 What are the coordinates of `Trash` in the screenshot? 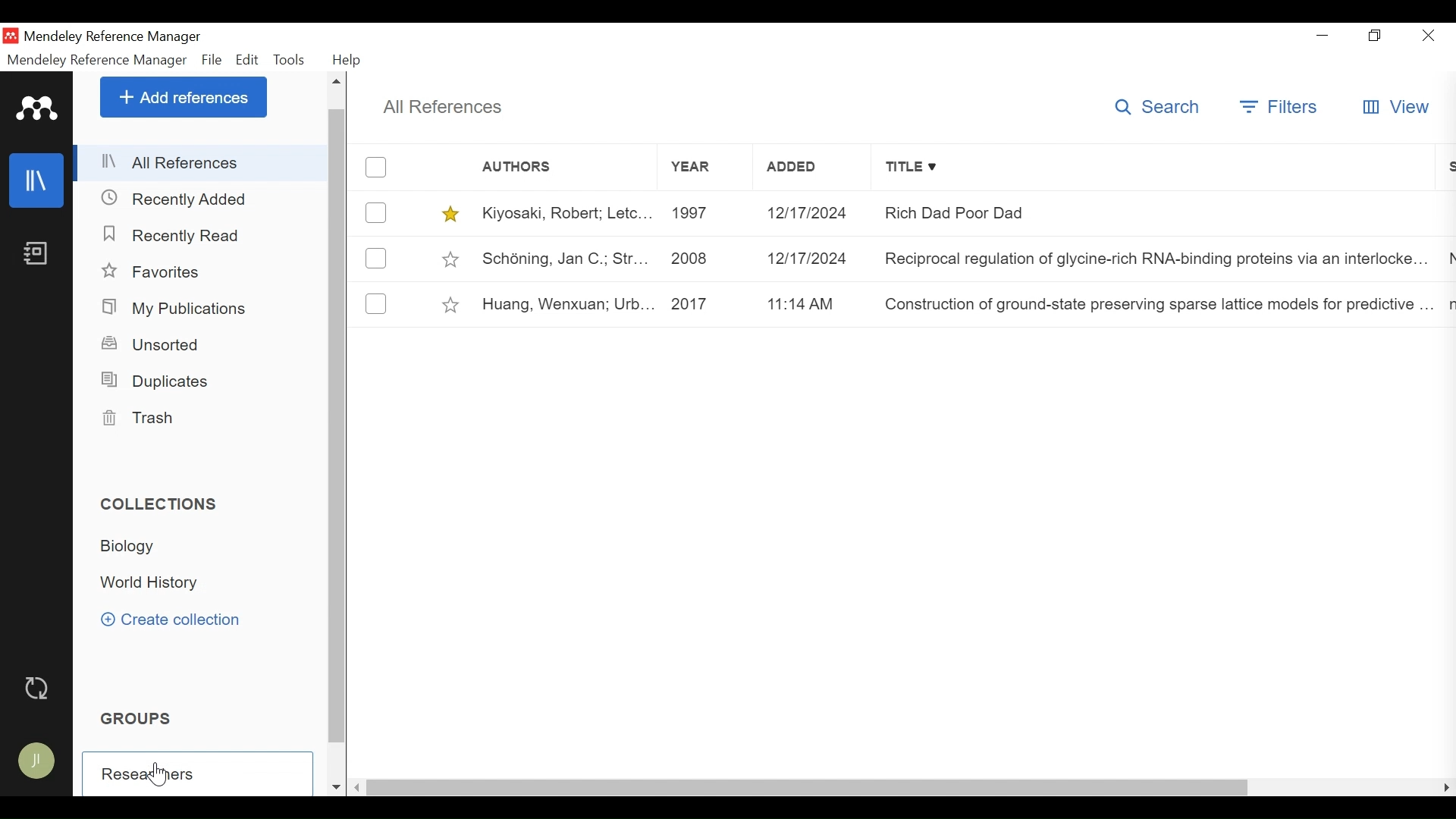 It's located at (143, 419).